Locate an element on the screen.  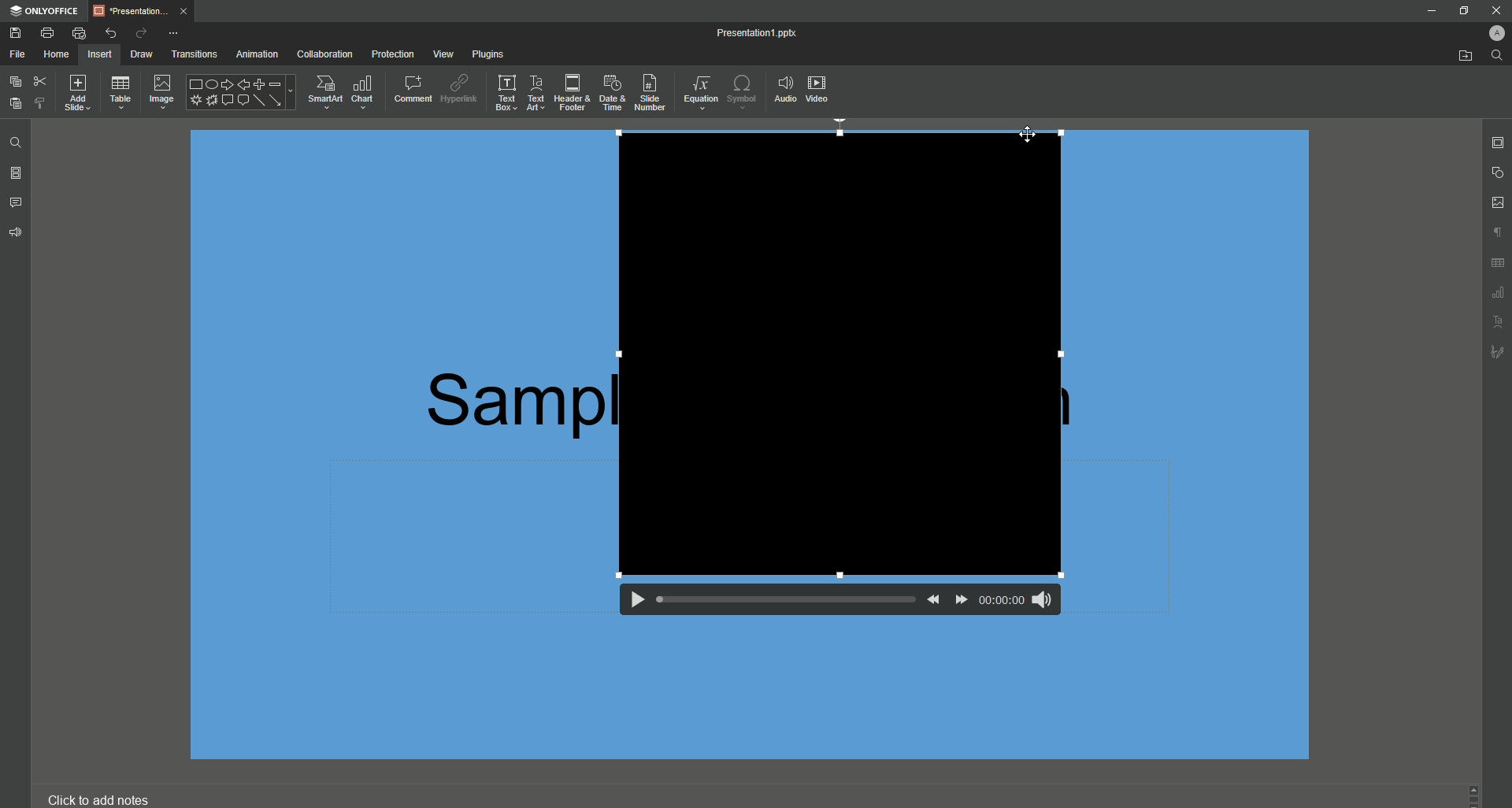
Save is located at coordinates (14, 32).